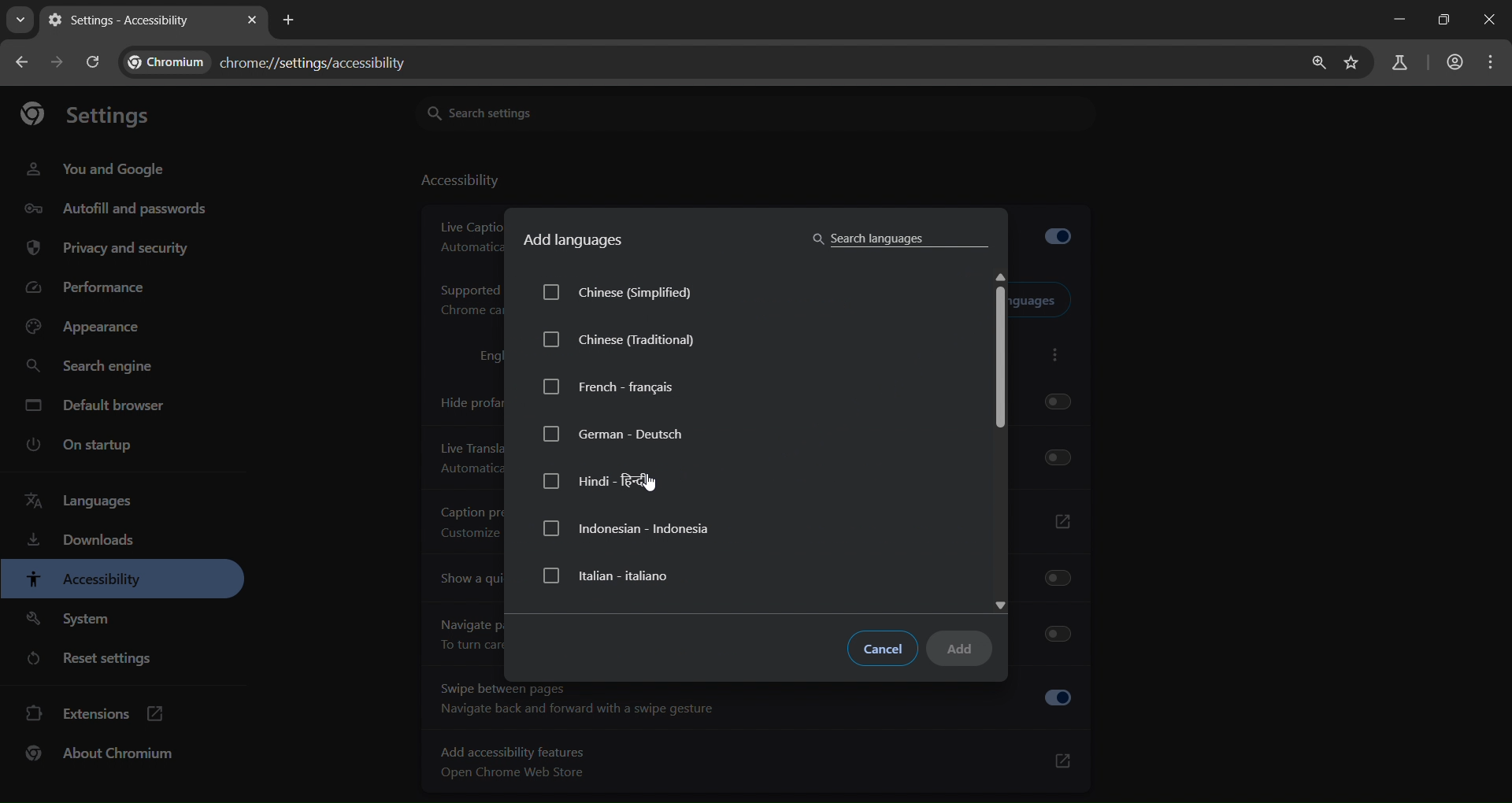 The width and height of the screenshot is (1512, 803). What do you see at coordinates (95, 169) in the screenshot?
I see `you and google` at bounding box center [95, 169].